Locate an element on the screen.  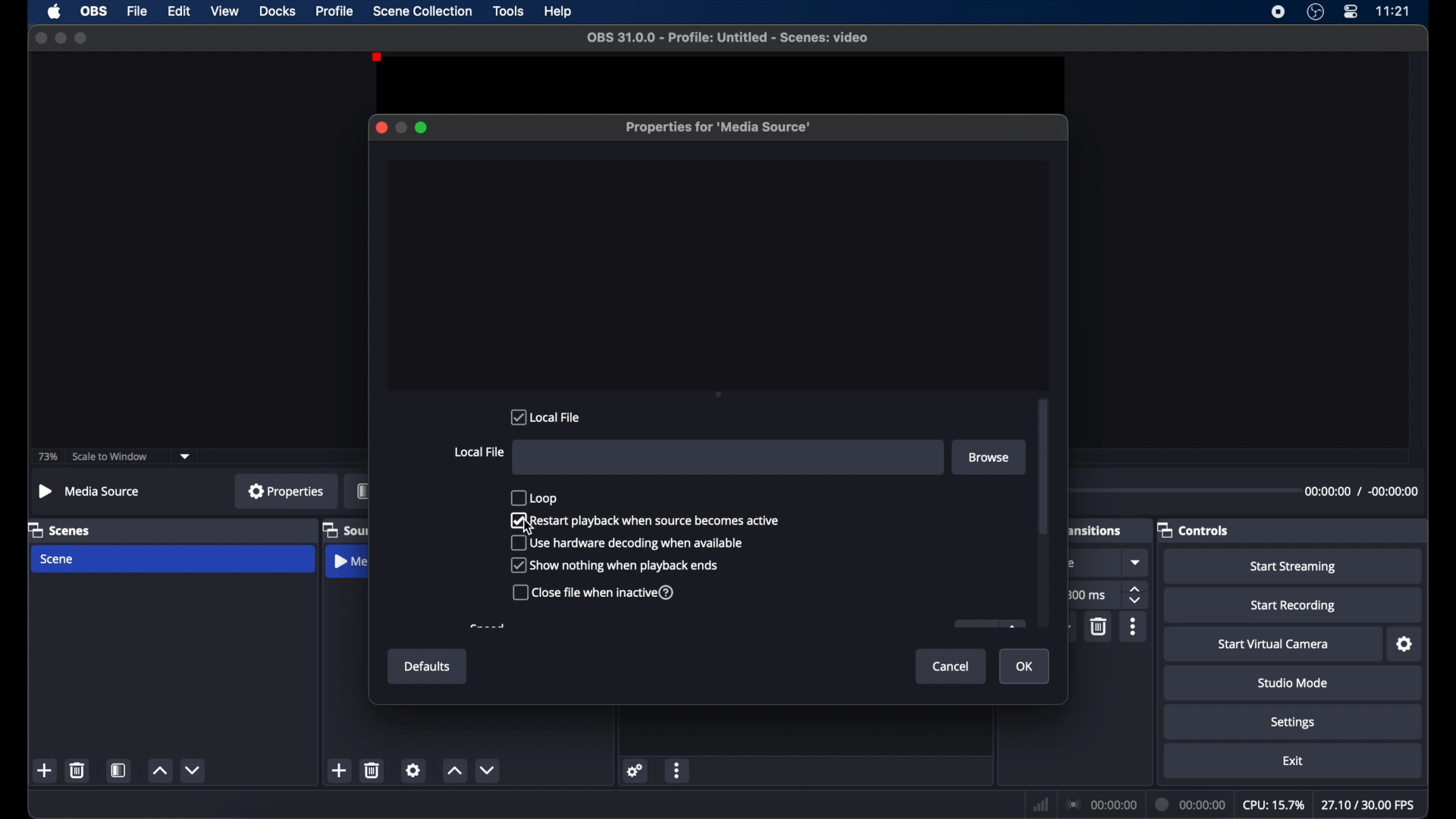
loop is located at coordinates (536, 497).